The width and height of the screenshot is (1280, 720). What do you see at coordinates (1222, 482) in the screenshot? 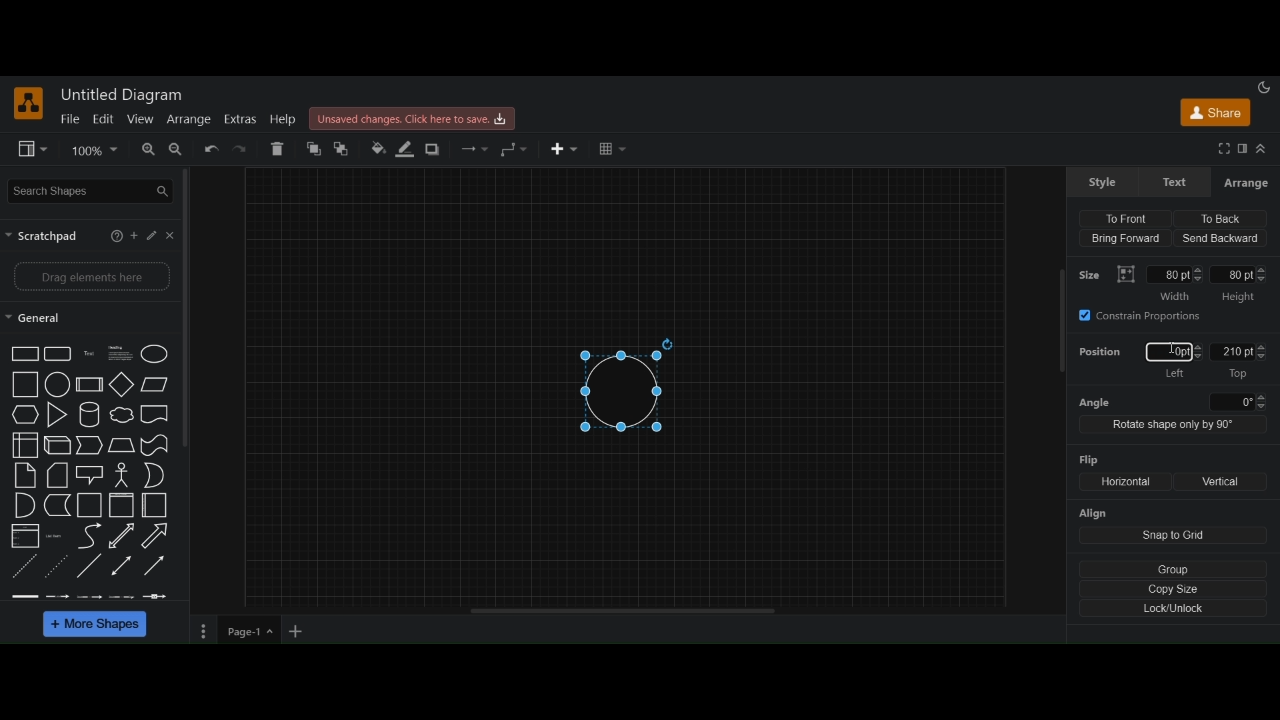
I see `vertical` at bounding box center [1222, 482].